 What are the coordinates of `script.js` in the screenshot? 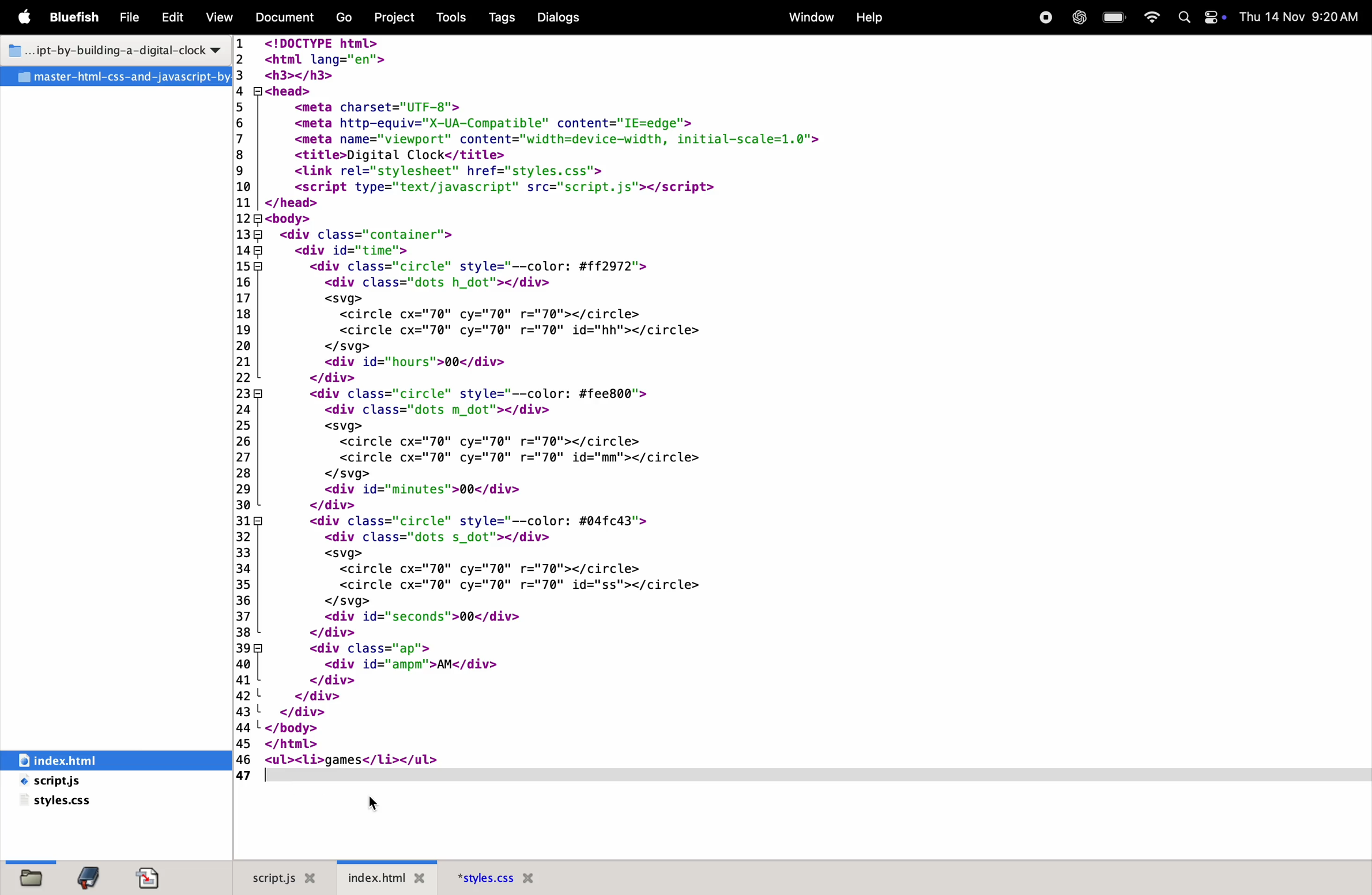 It's located at (80, 782).